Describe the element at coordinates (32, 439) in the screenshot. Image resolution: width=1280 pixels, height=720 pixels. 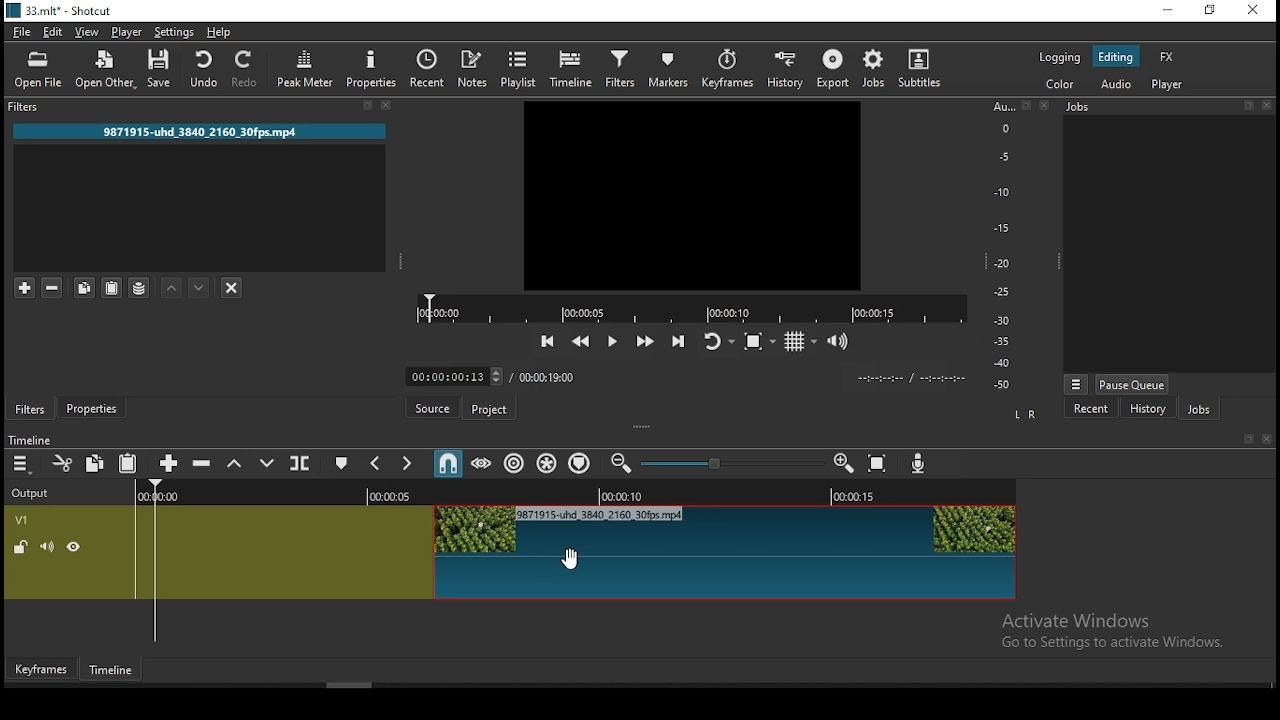
I see `timeline` at that location.